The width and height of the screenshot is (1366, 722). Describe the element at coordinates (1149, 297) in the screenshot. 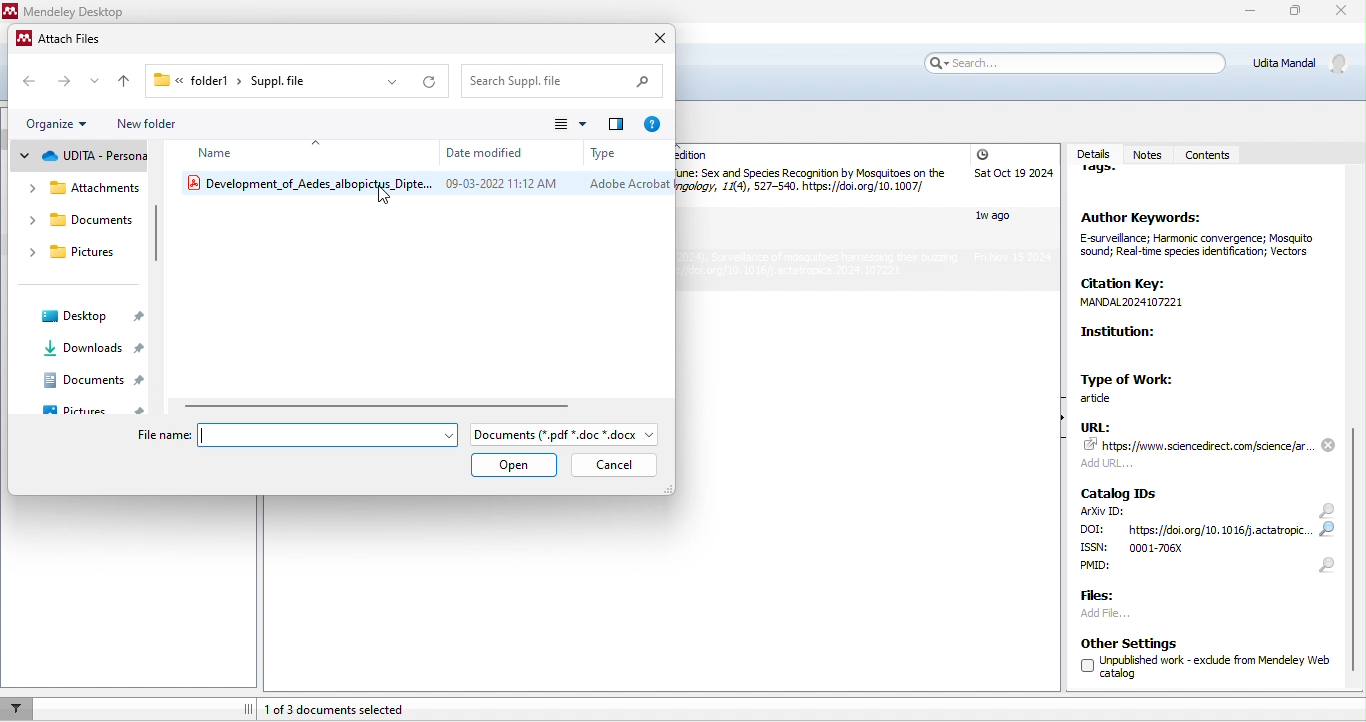

I see `CRN —yp
MANDAL 2024107221` at that location.